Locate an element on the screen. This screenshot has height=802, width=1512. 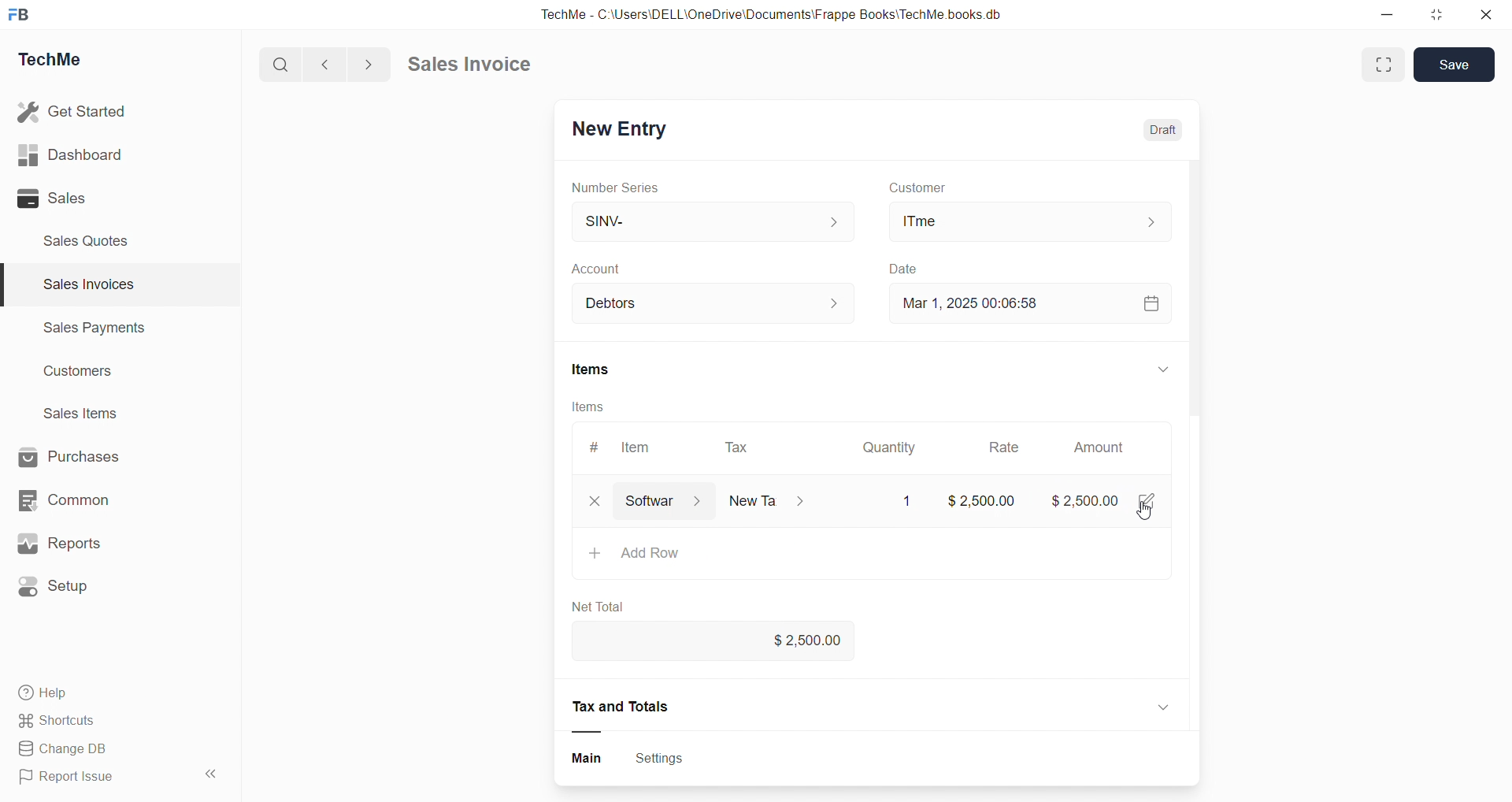
8 Sales is located at coordinates (55, 198).